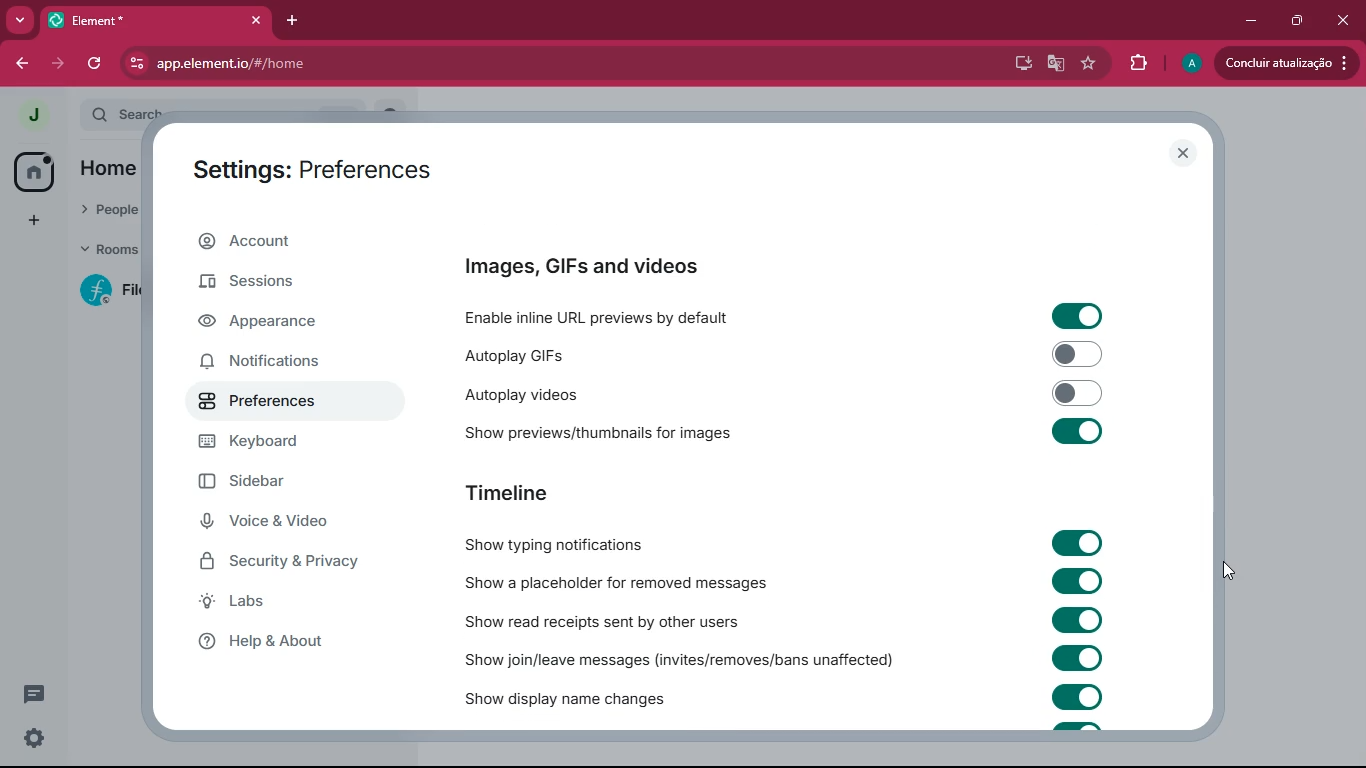 The height and width of the screenshot is (768, 1366). Describe the element at coordinates (96, 64) in the screenshot. I see `refresh` at that location.